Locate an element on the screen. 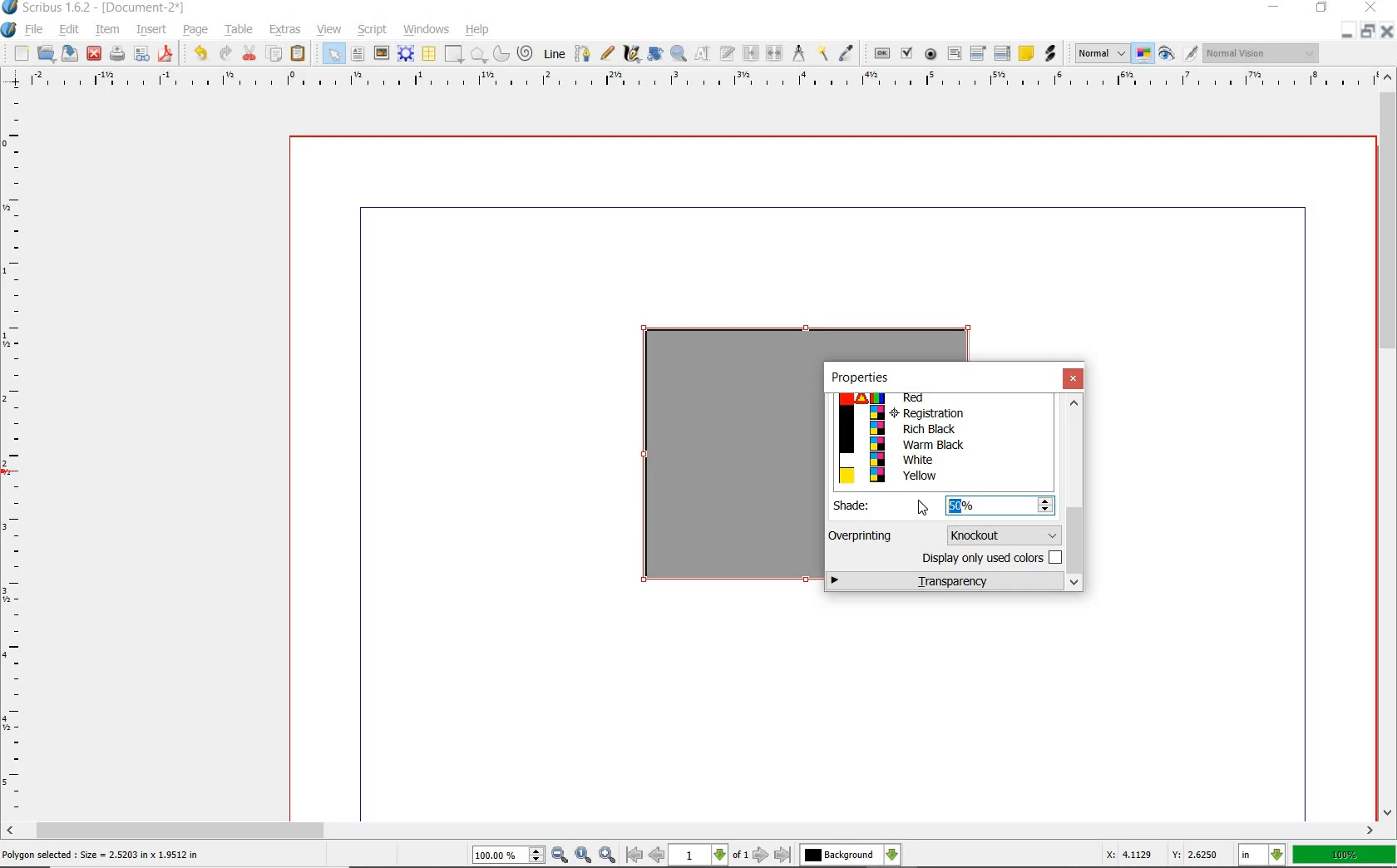  shape is located at coordinates (454, 53).